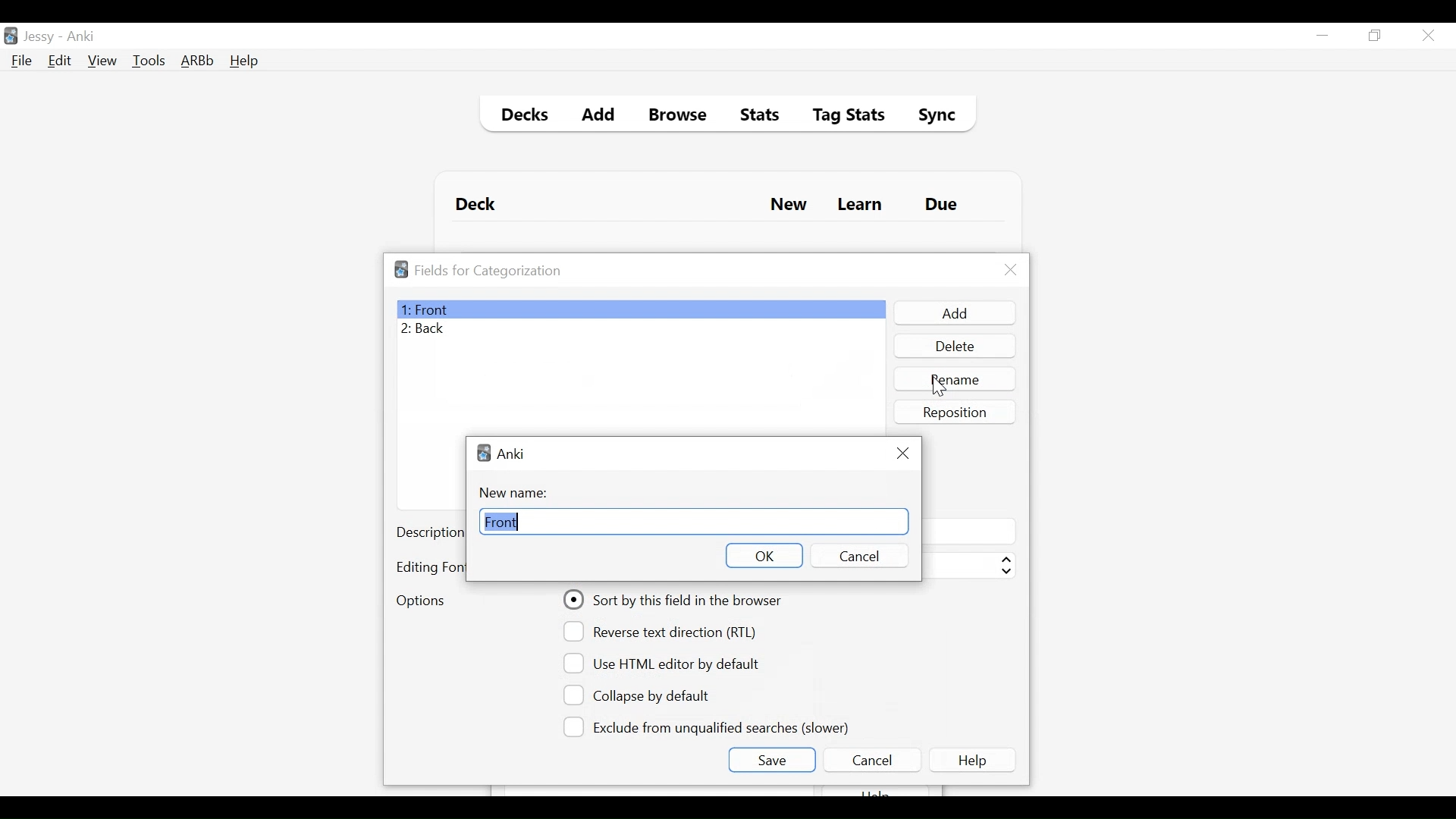  Describe the element at coordinates (954, 347) in the screenshot. I see `Delete` at that location.